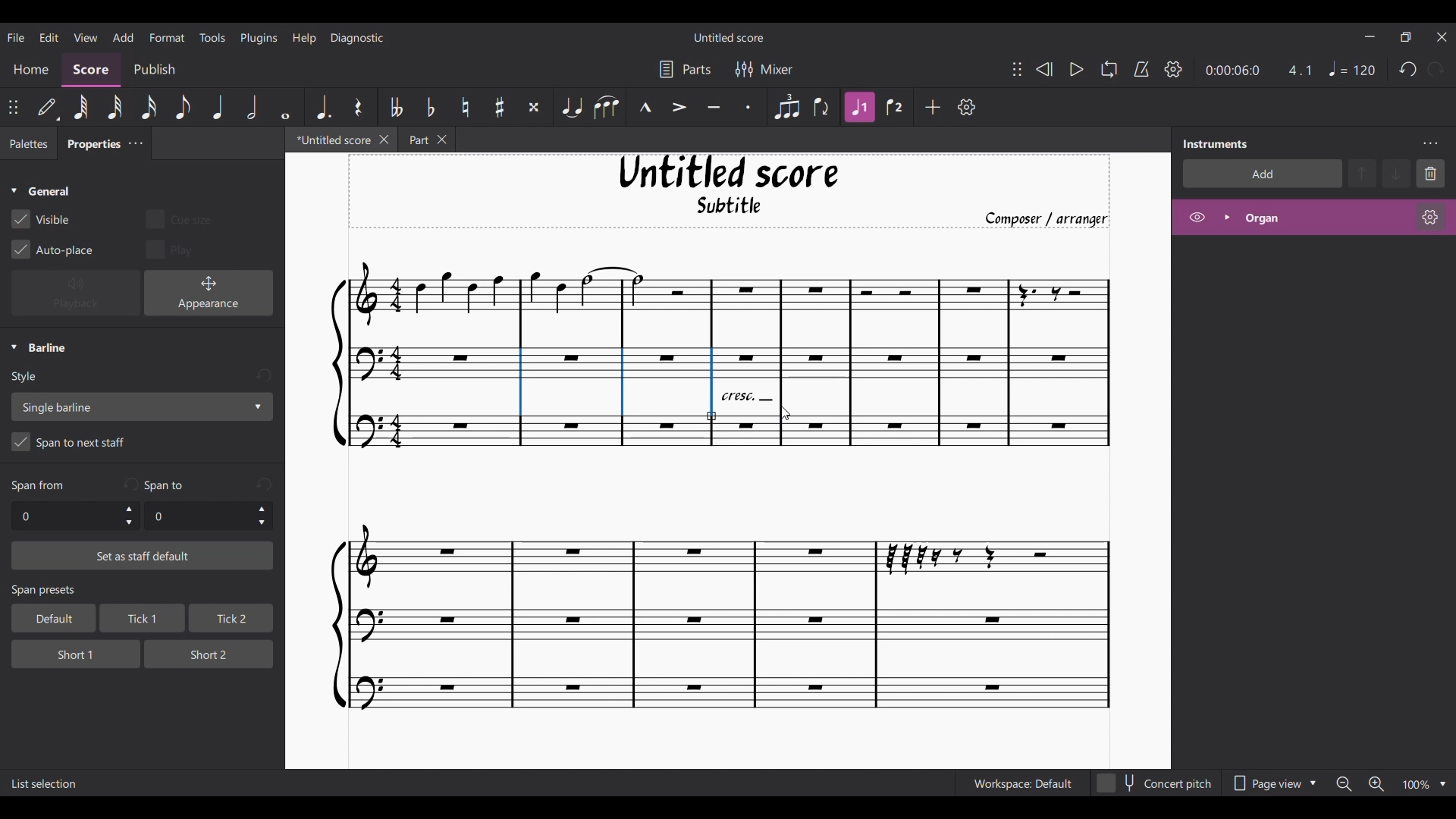 This screenshot has height=819, width=1456. What do you see at coordinates (749, 107) in the screenshot?
I see `Staccato` at bounding box center [749, 107].